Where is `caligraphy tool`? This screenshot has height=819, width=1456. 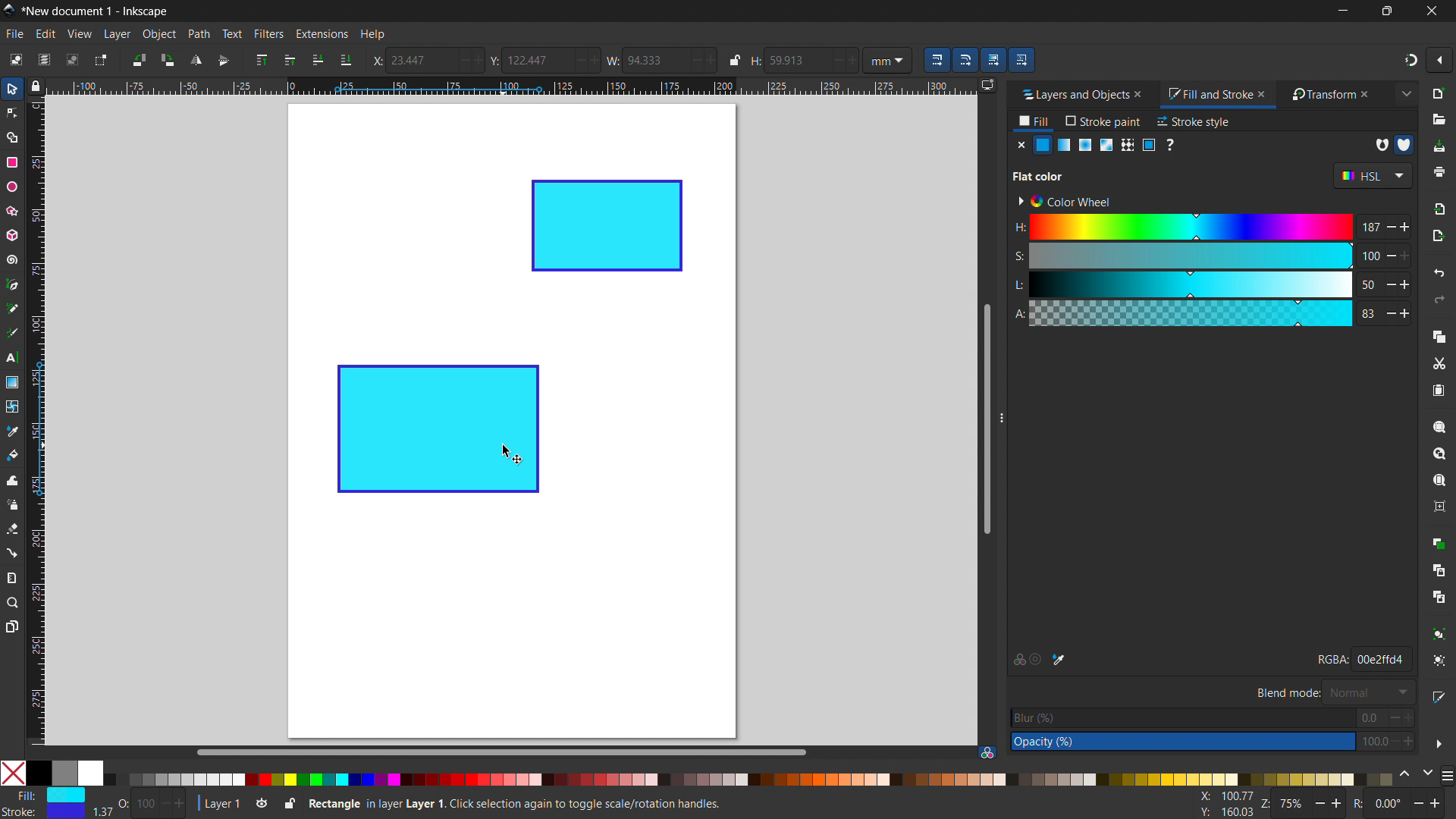
caligraphy tool is located at coordinates (11, 332).